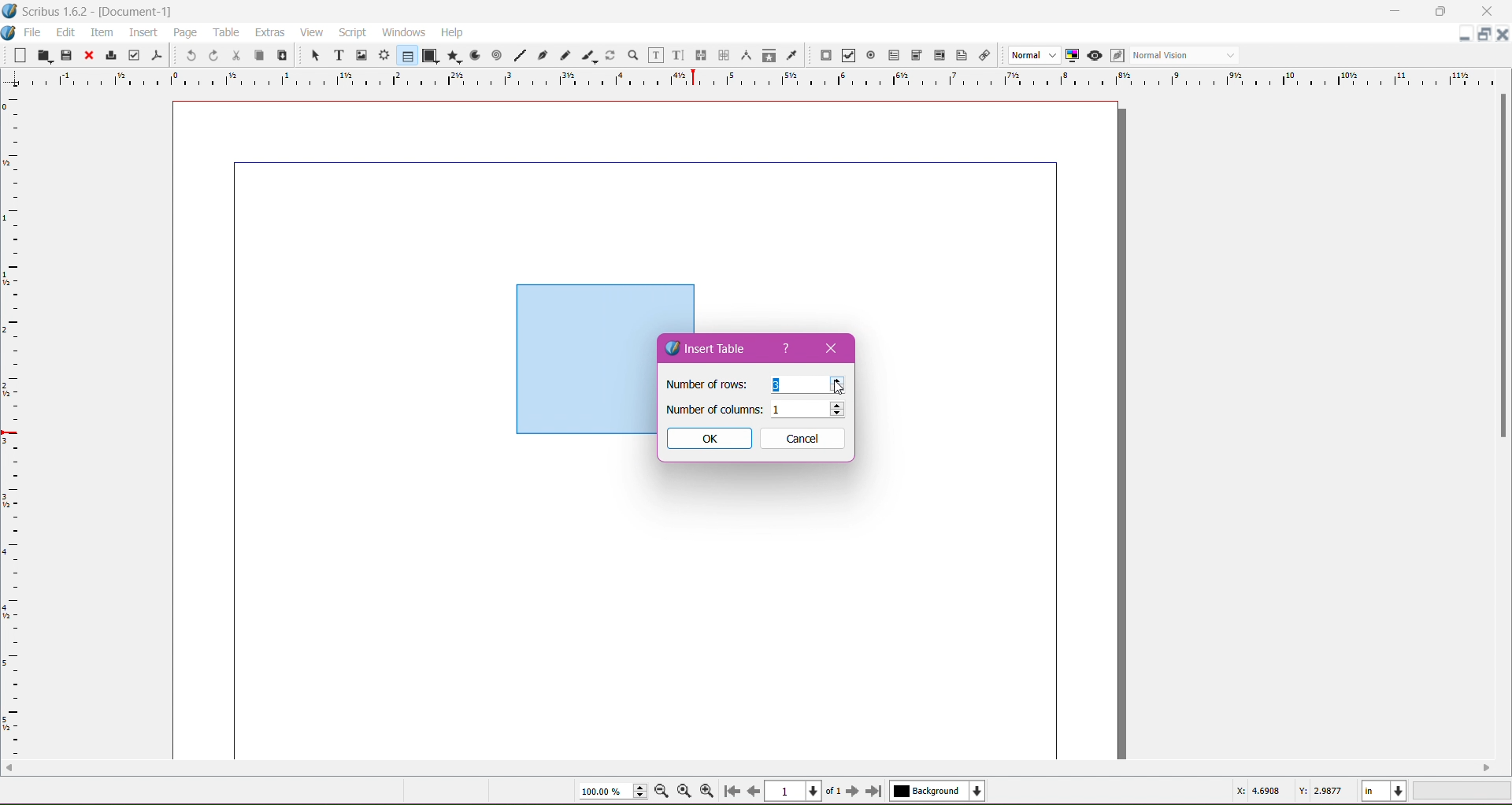 This screenshot has width=1512, height=805. Describe the element at coordinates (46, 54) in the screenshot. I see `Open` at that location.